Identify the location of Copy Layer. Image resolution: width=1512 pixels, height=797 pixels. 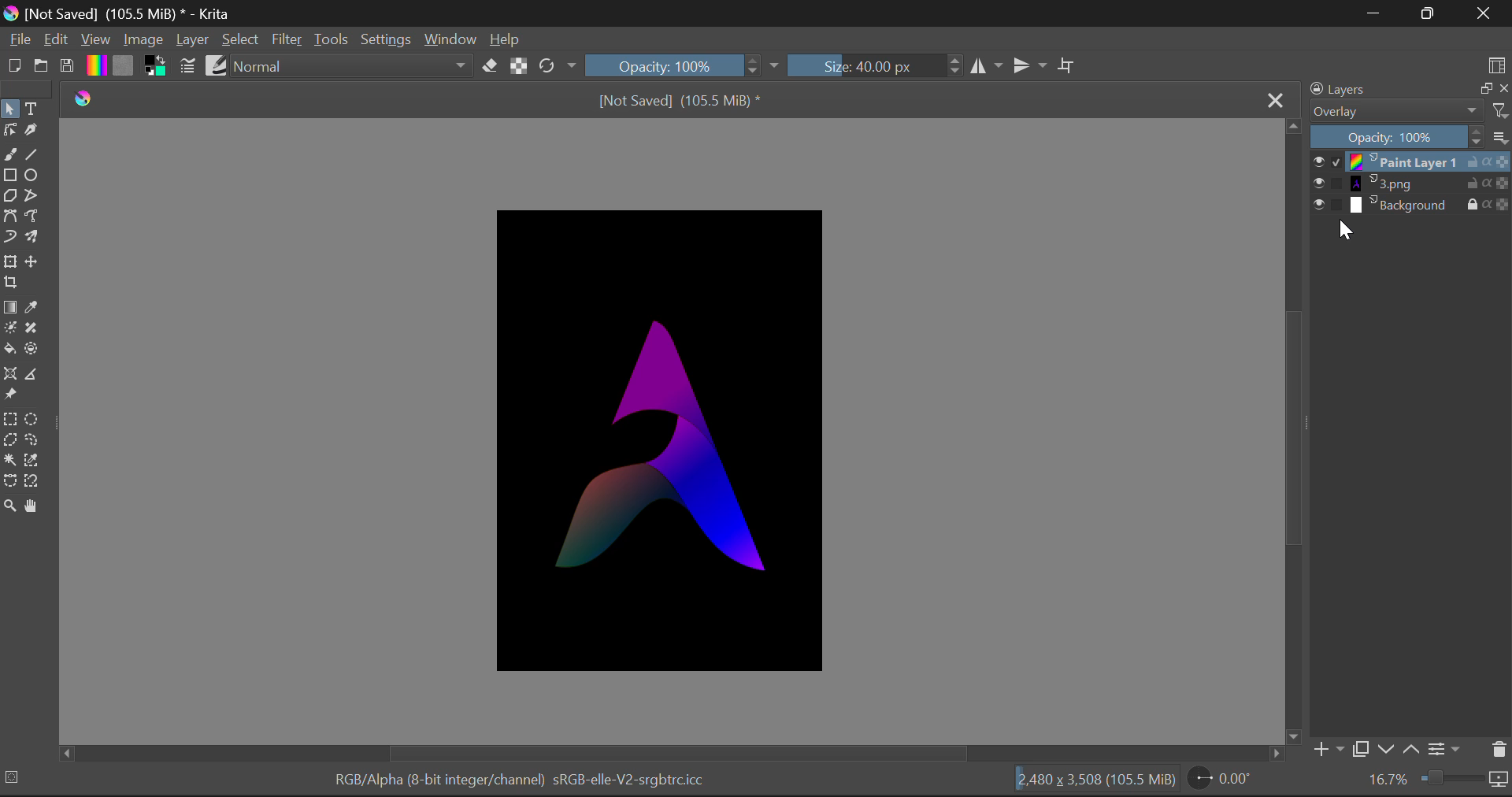
(1362, 747).